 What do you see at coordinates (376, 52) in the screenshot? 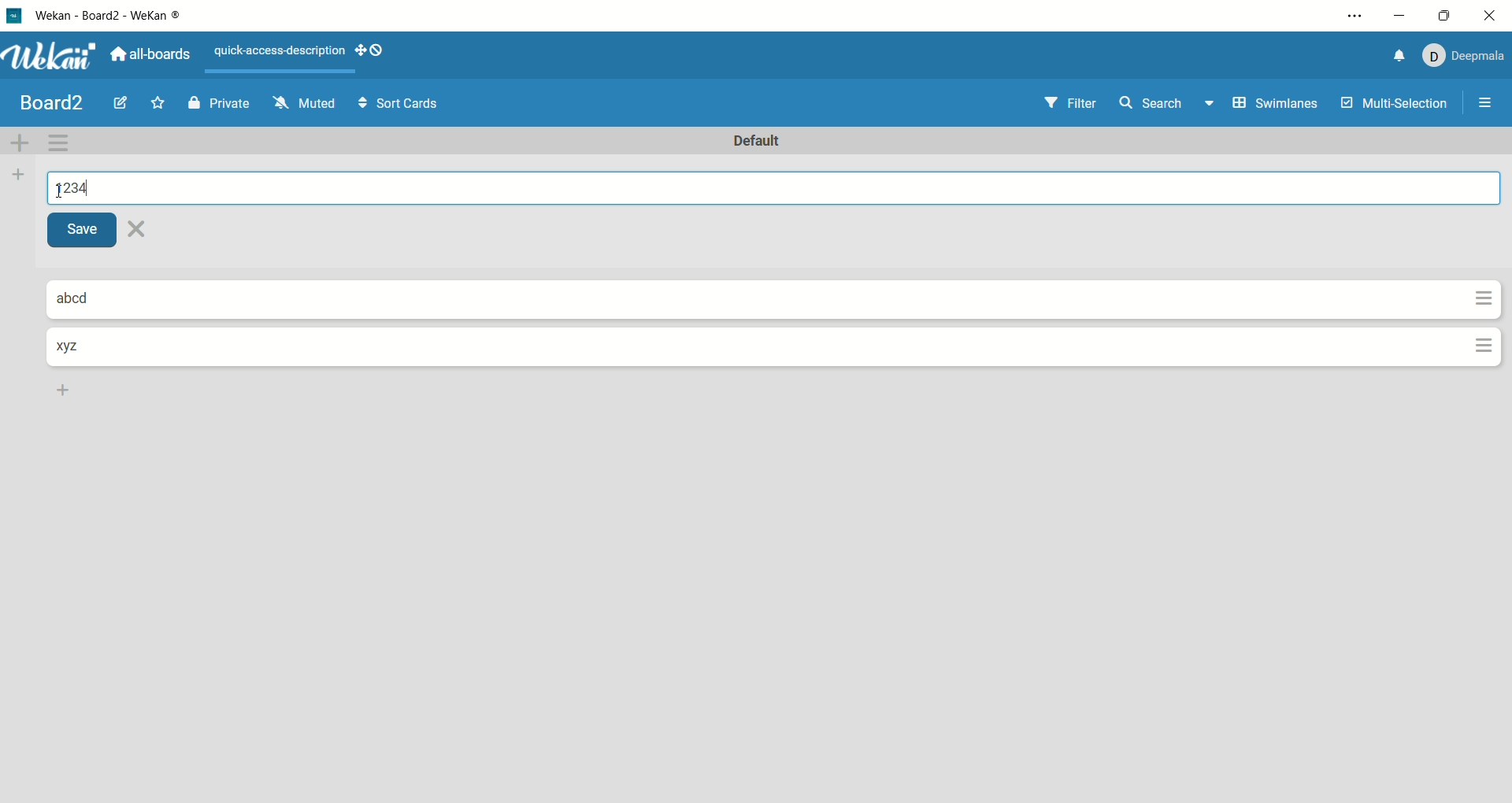
I see `show-desktop-drag-handles` at bounding box center [376, 52].